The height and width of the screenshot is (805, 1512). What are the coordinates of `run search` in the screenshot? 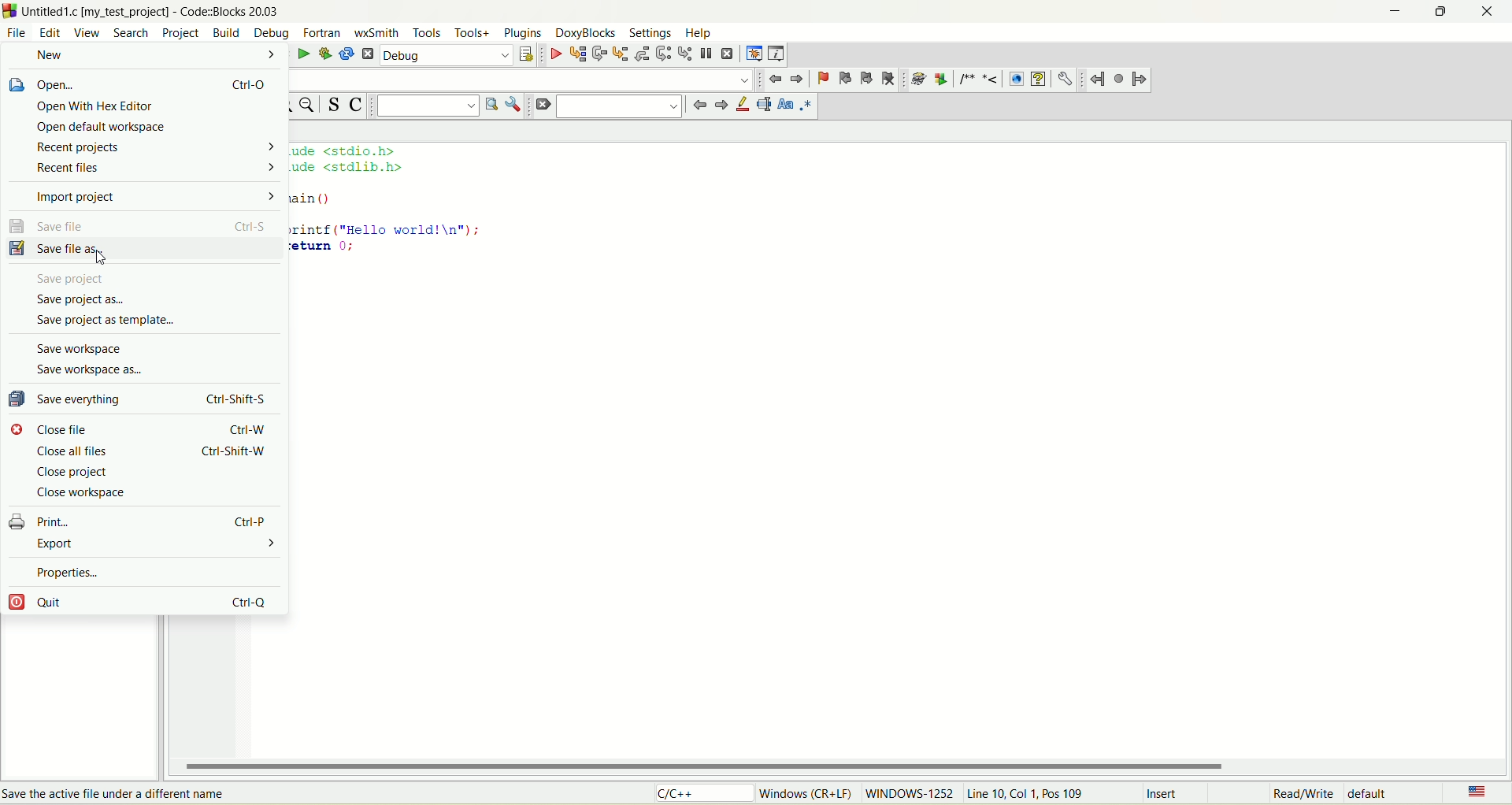 It's located at (490, 104).